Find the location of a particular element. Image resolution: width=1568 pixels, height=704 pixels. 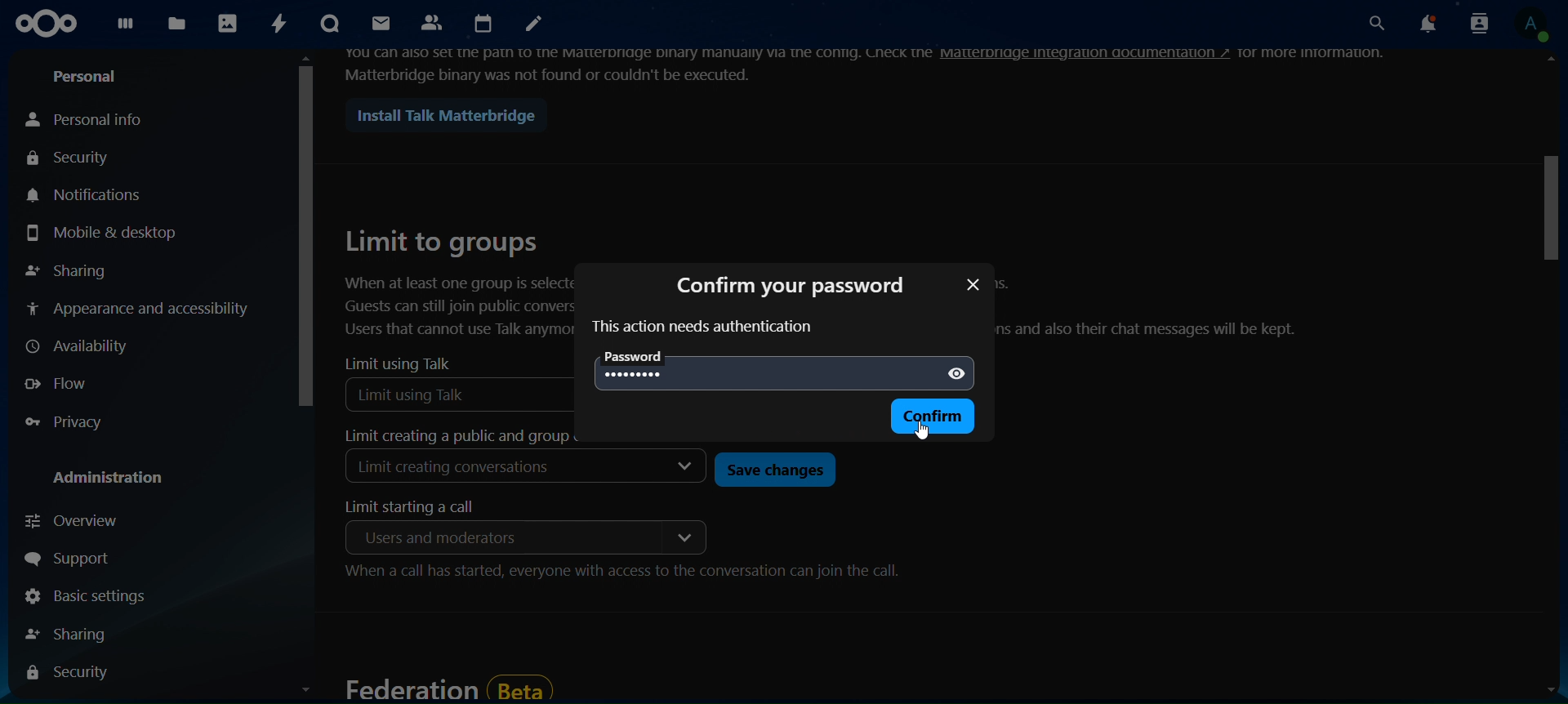

basic settings is located at coordinates (84, 599).